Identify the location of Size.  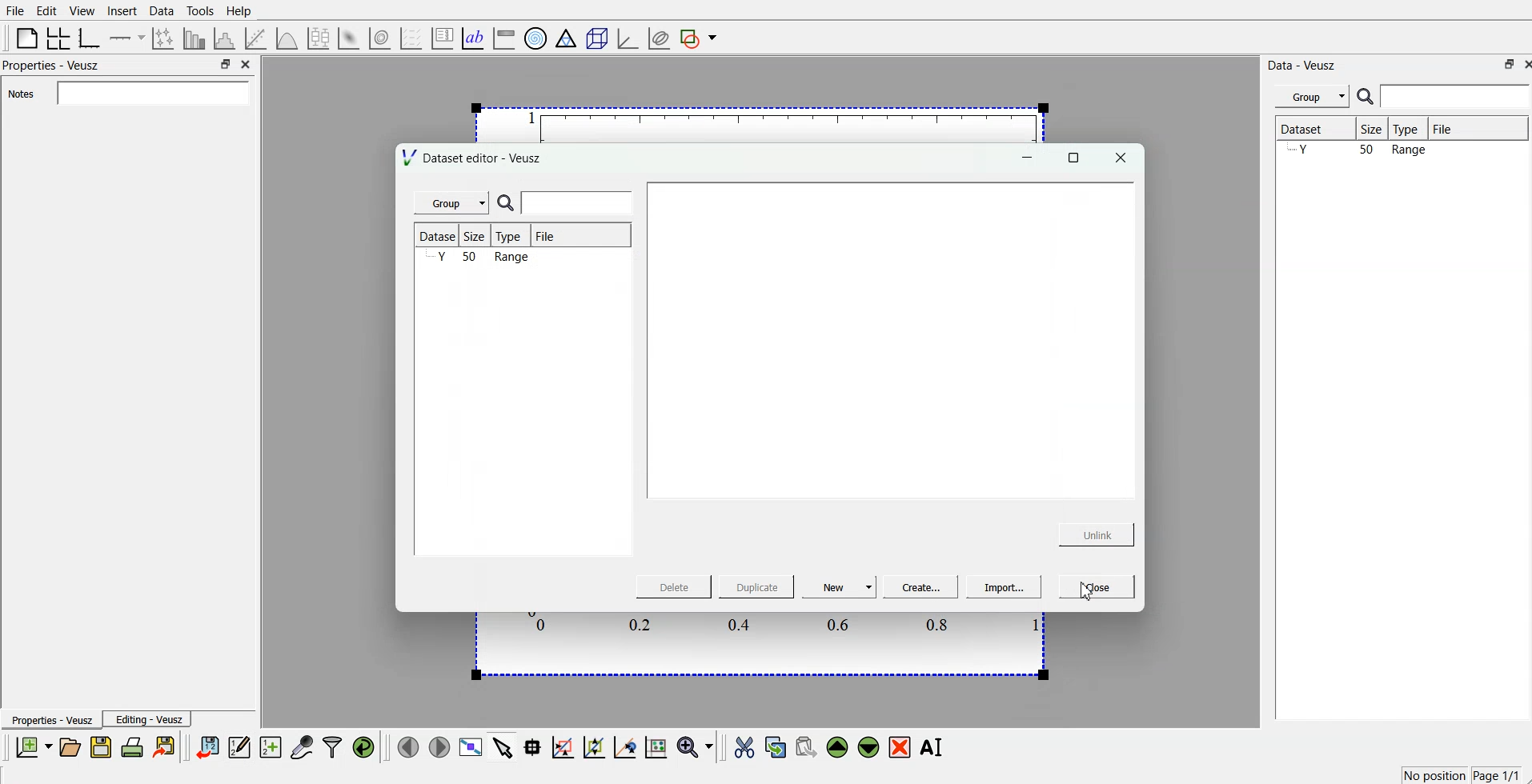
(1375, 130).